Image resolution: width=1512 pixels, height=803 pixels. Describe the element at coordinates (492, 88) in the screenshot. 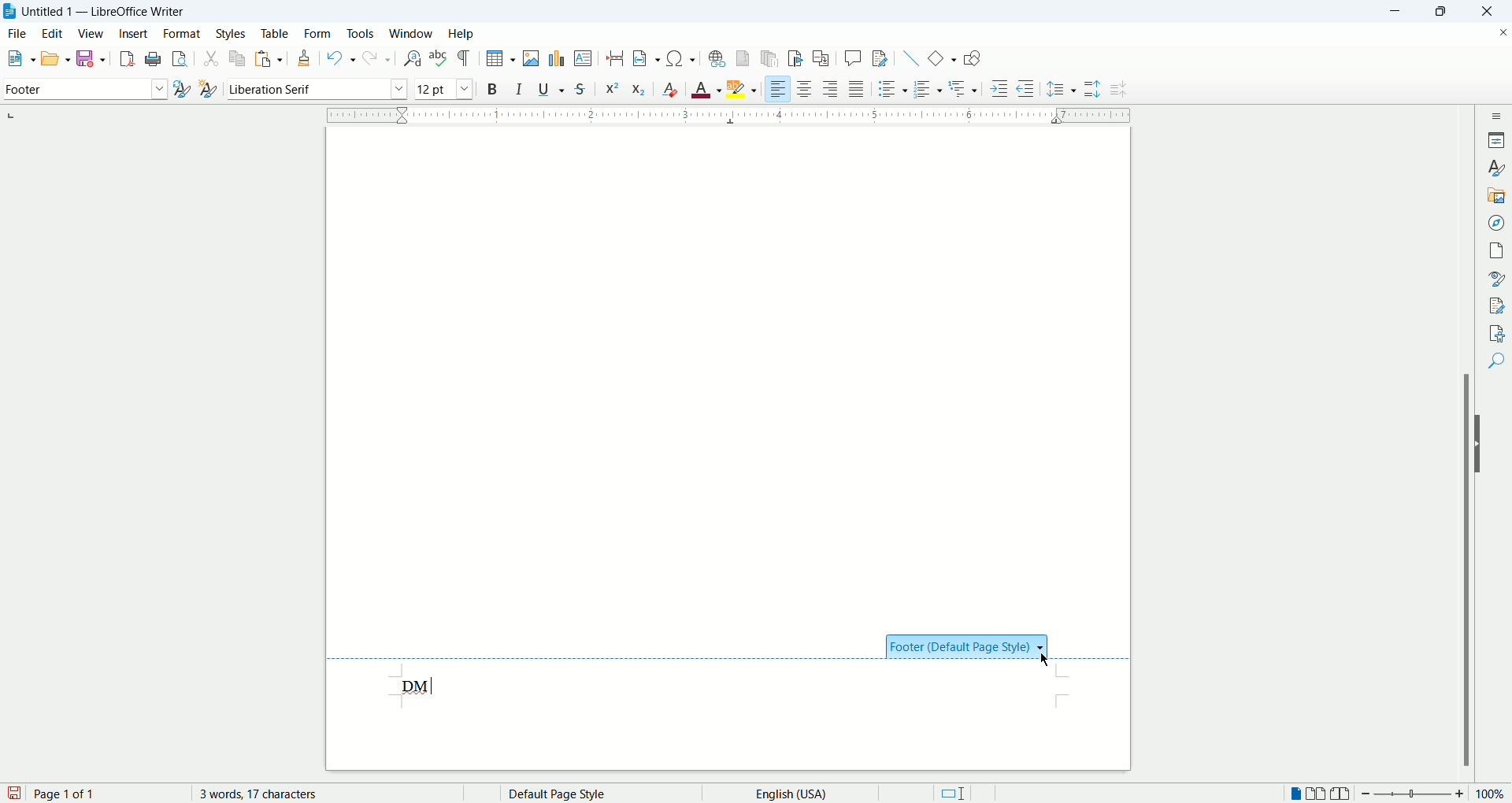

I see `bold` at that location.